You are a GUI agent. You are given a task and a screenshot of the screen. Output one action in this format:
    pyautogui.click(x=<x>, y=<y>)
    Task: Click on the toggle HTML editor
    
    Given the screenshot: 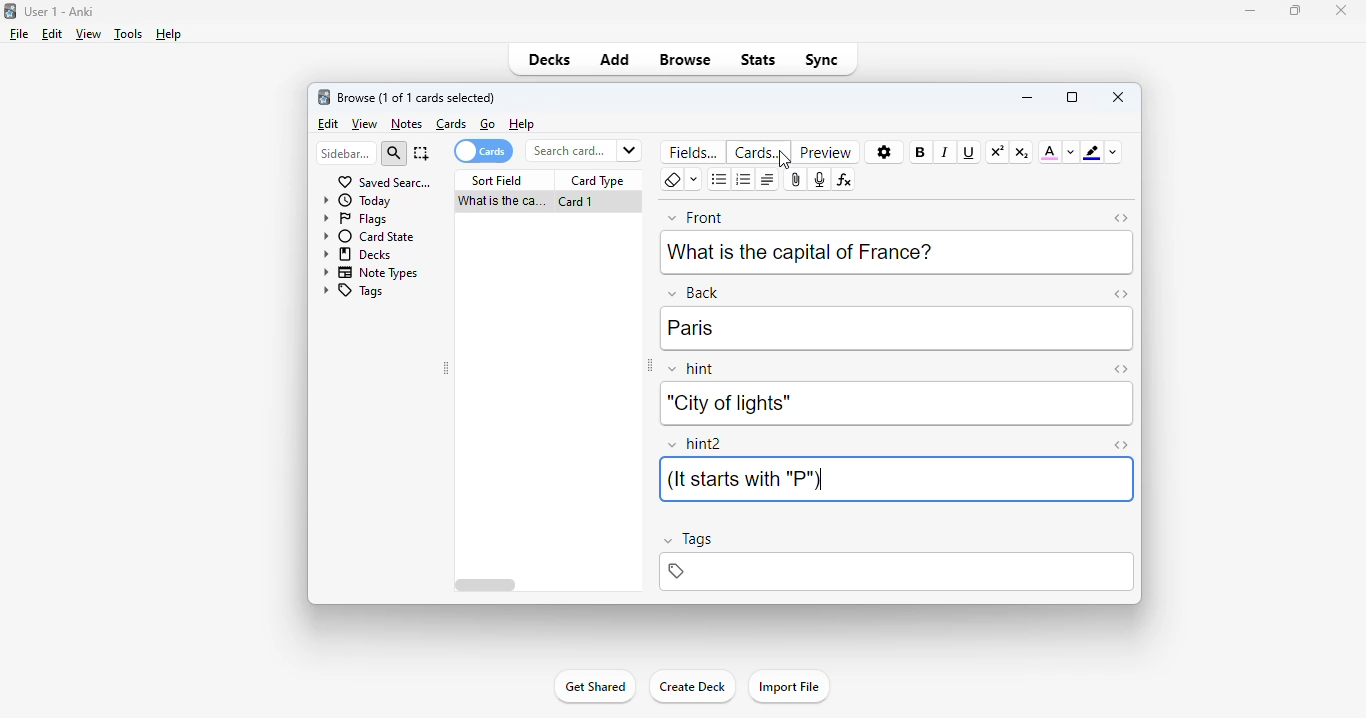 What is the action you would take?
    pyautogui.click(x=1120, y=369)
    